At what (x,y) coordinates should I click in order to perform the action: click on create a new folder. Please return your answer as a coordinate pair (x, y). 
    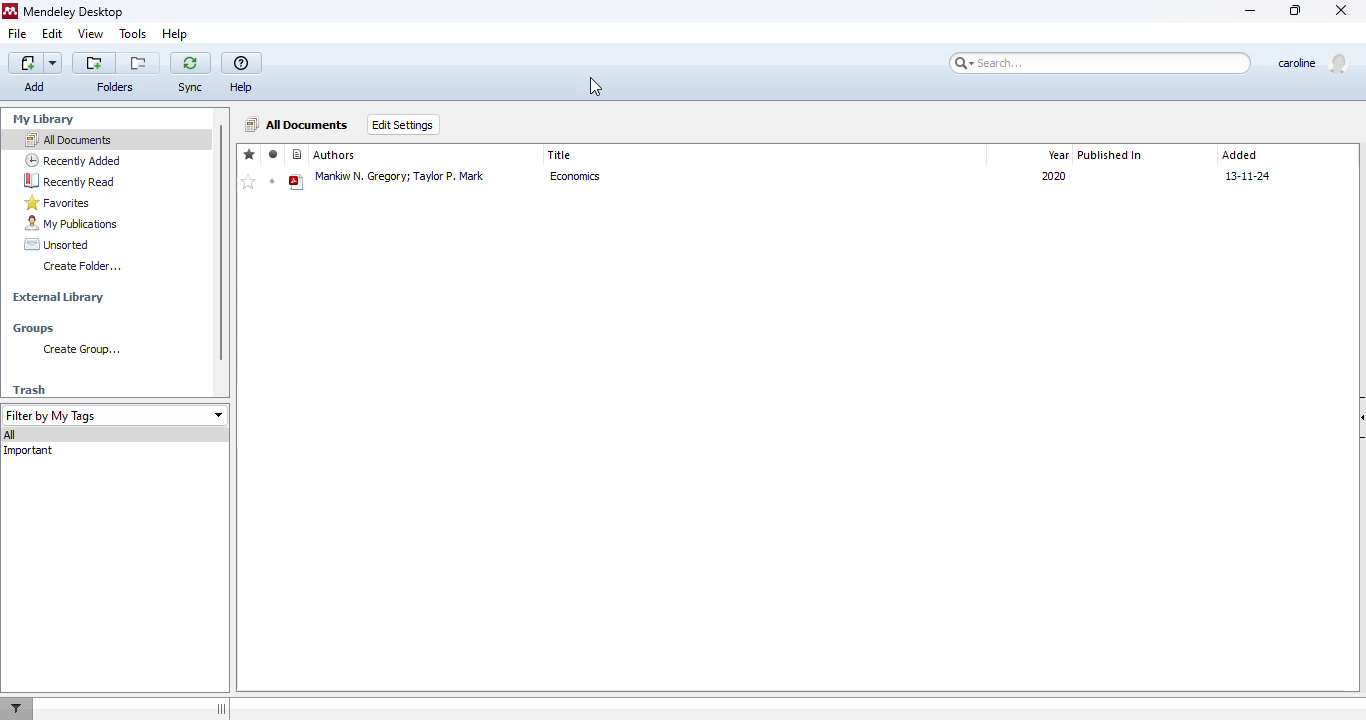
    Looking at the image, I should click on (94, 63).